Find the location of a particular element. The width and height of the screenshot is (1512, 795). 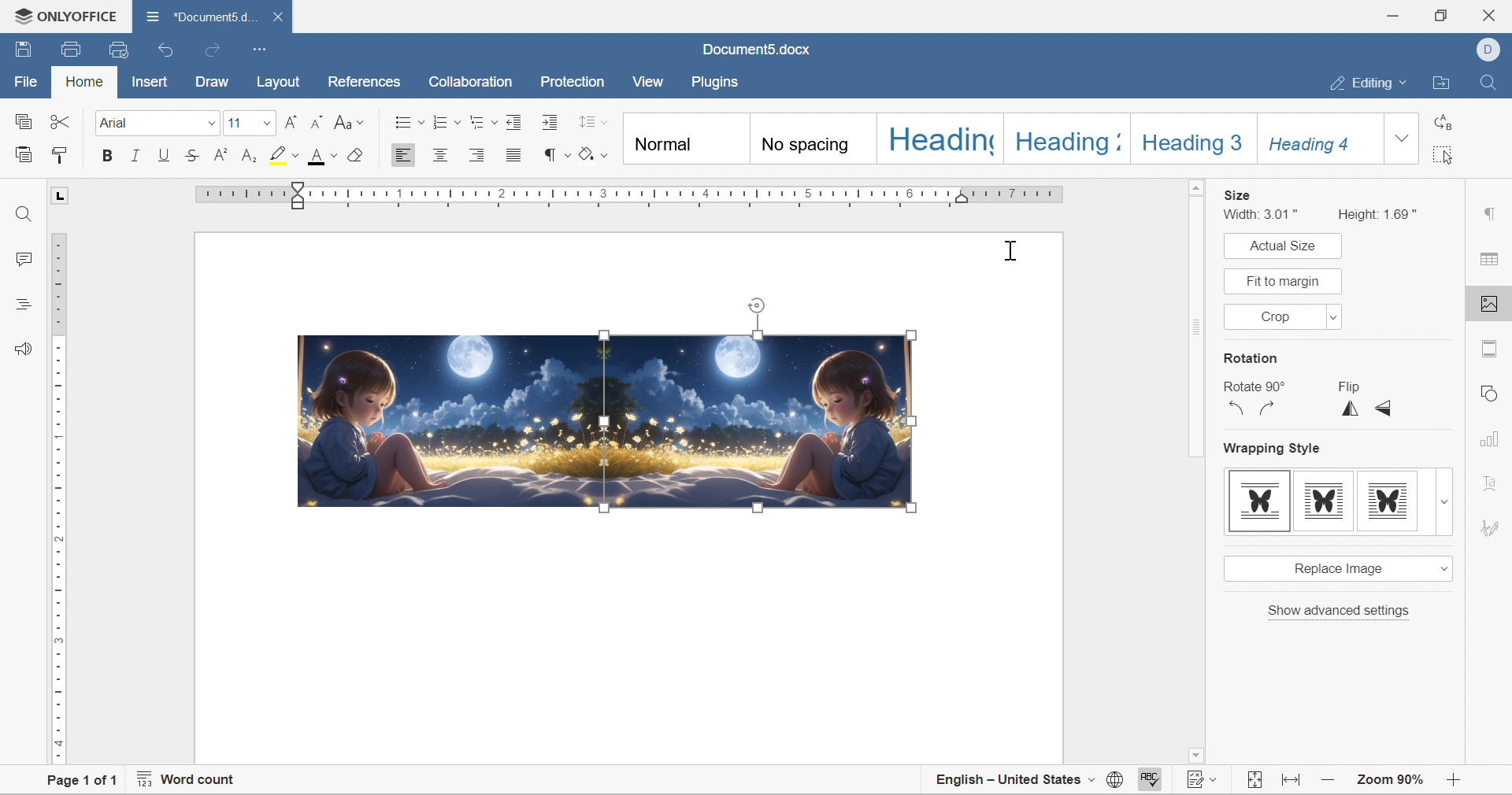

redo is located at coordinates (215, 51).